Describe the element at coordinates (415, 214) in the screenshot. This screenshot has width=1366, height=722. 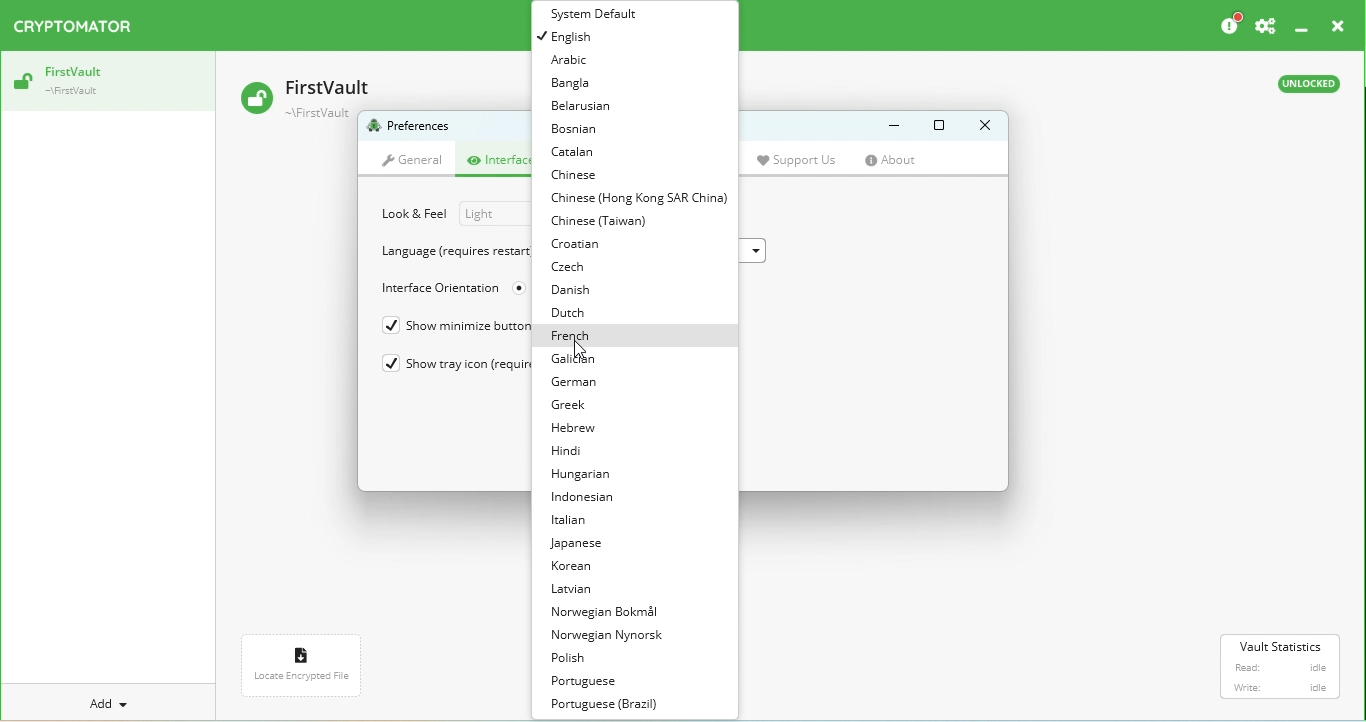
I see `Look & Feel` at that location.